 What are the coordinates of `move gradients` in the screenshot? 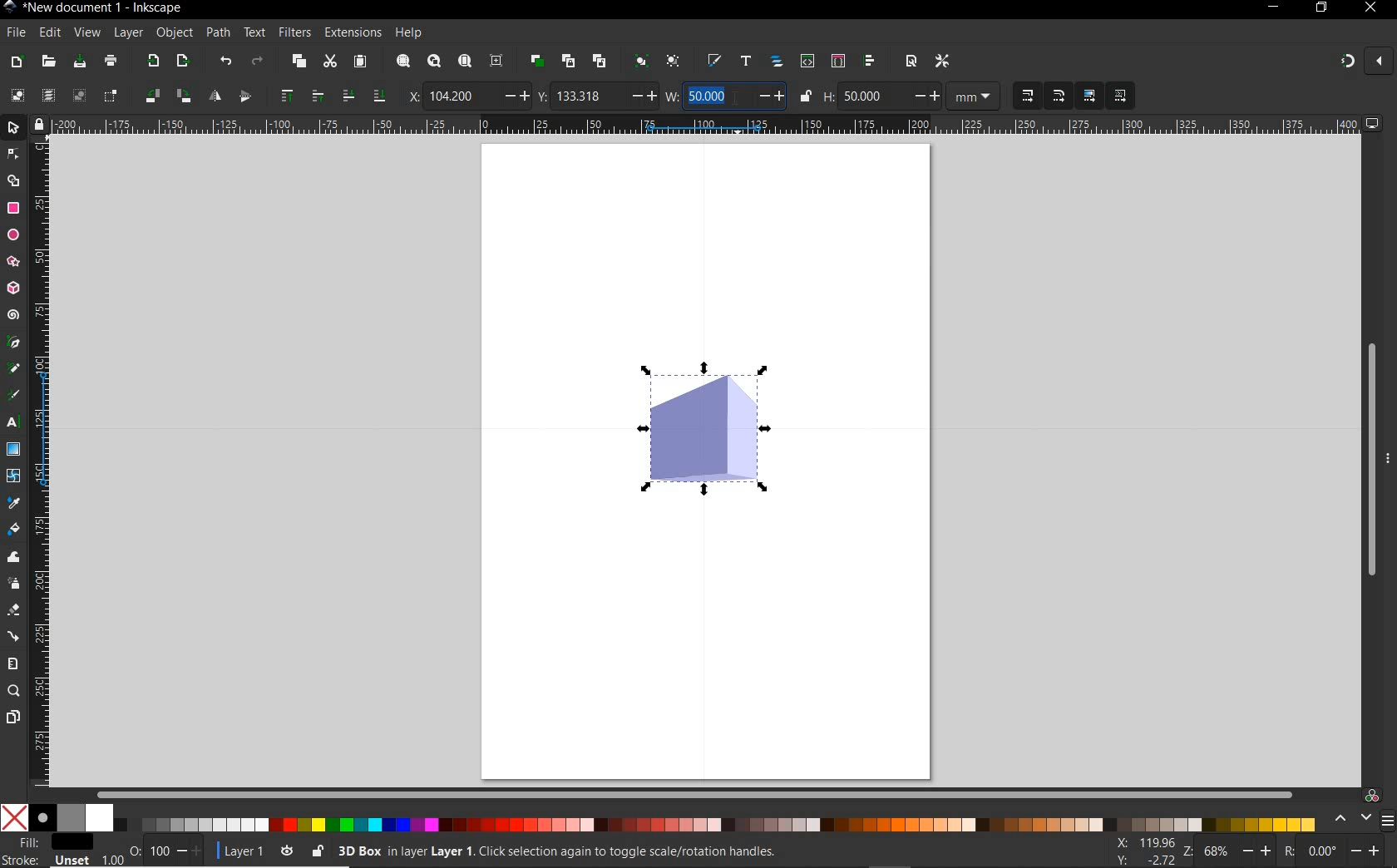 It's located at (1090, 96).